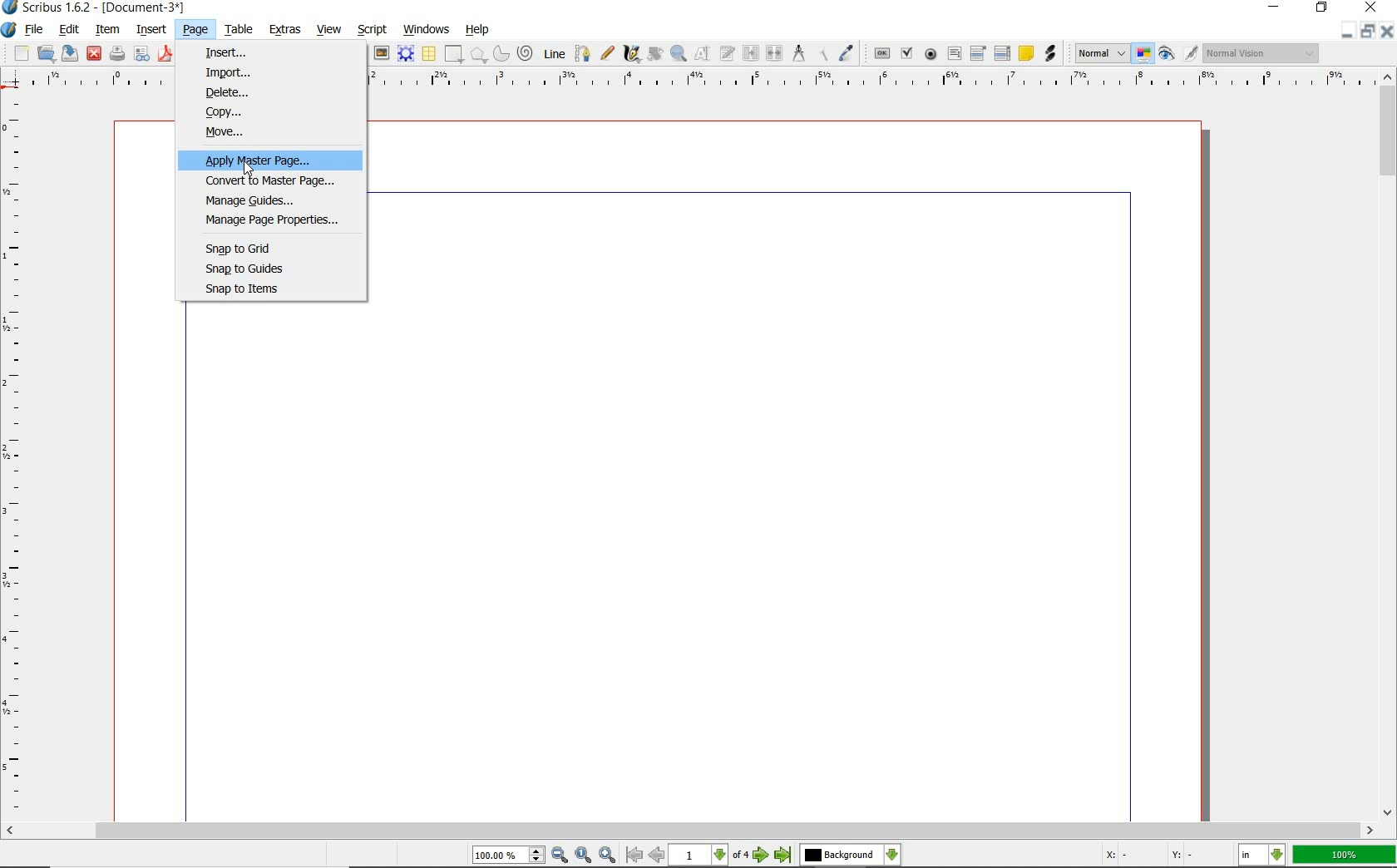  What do you see at coordinates (1261, 855) in the screenshot?
I see `select the current unit: in` at bounding box center [1261, 855].